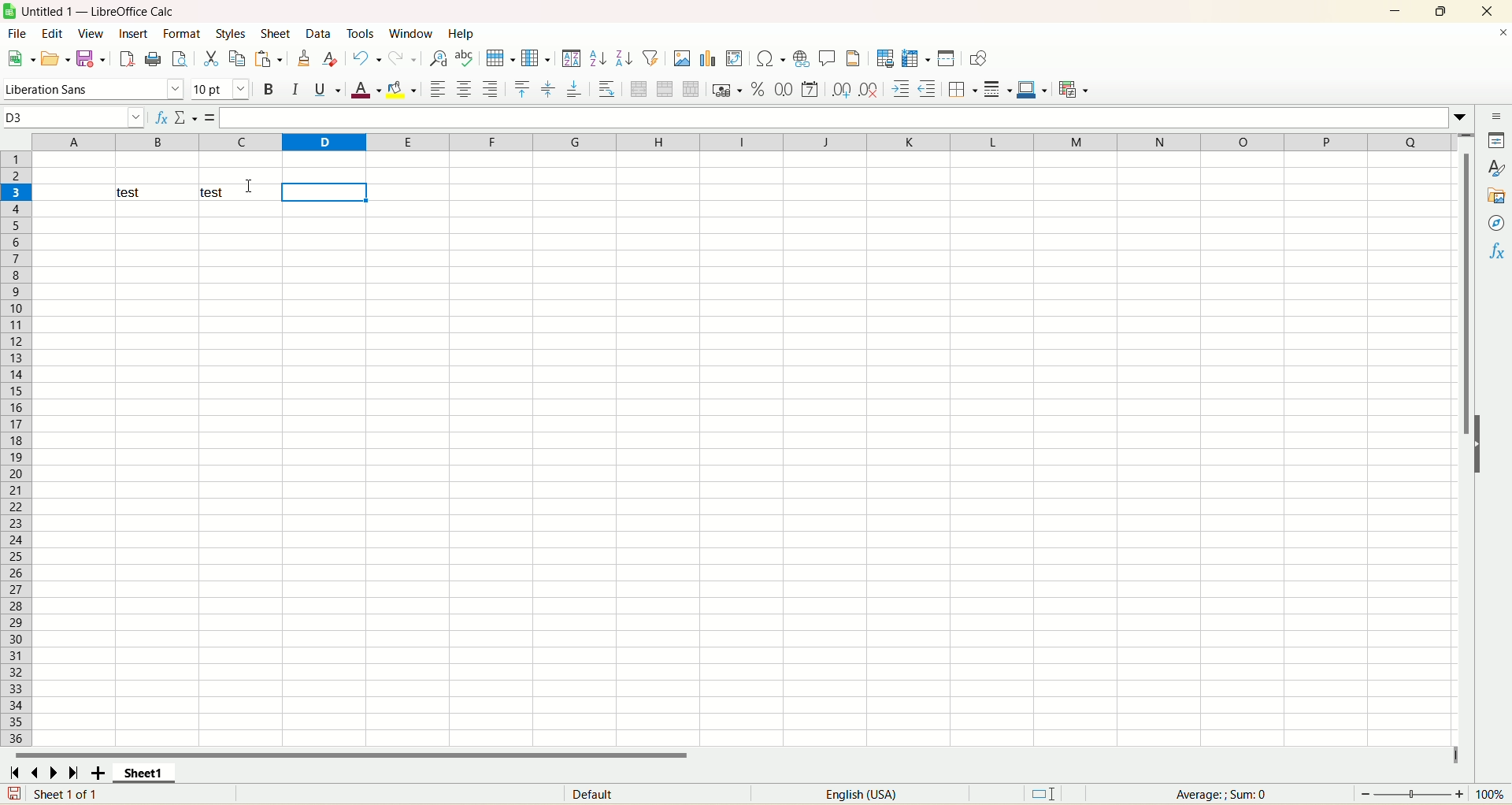 This screenshot has height=805, width=1512. I want to click on unmerge, so click(691, 89).